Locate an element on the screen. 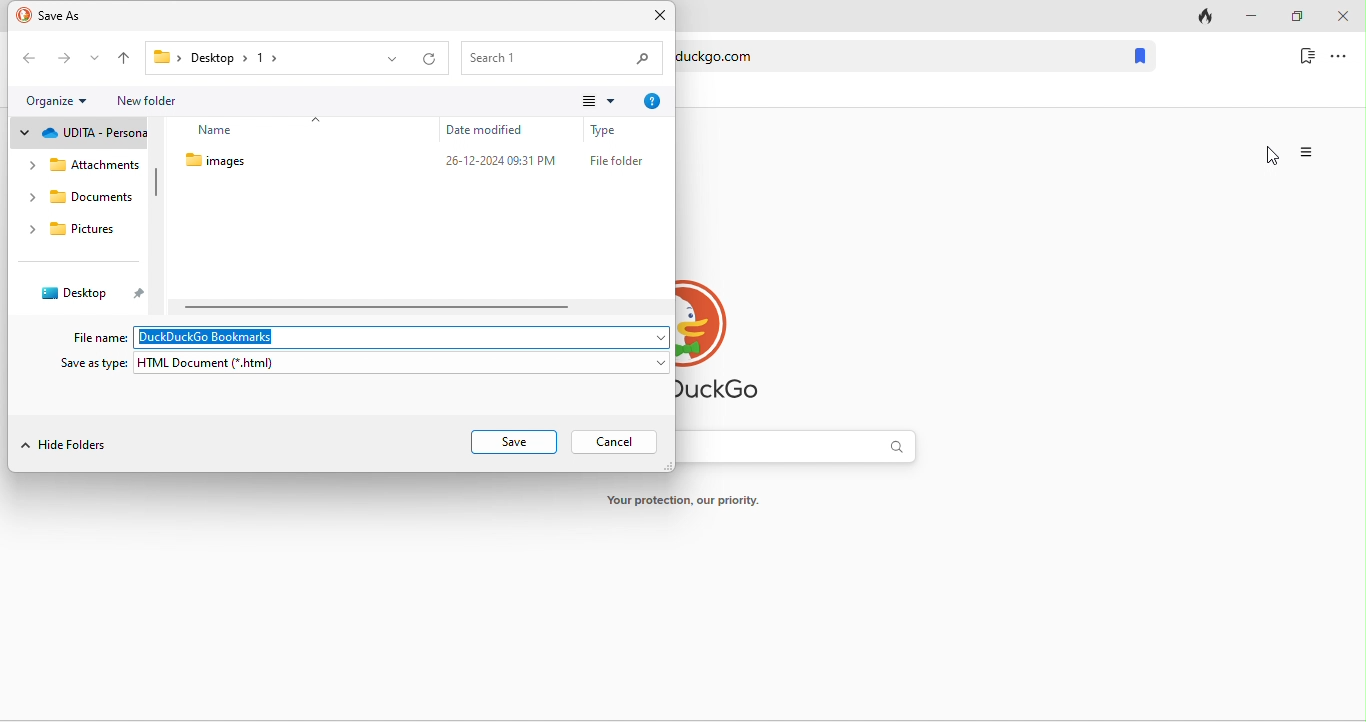  more view is located at coordinates (597, 99).